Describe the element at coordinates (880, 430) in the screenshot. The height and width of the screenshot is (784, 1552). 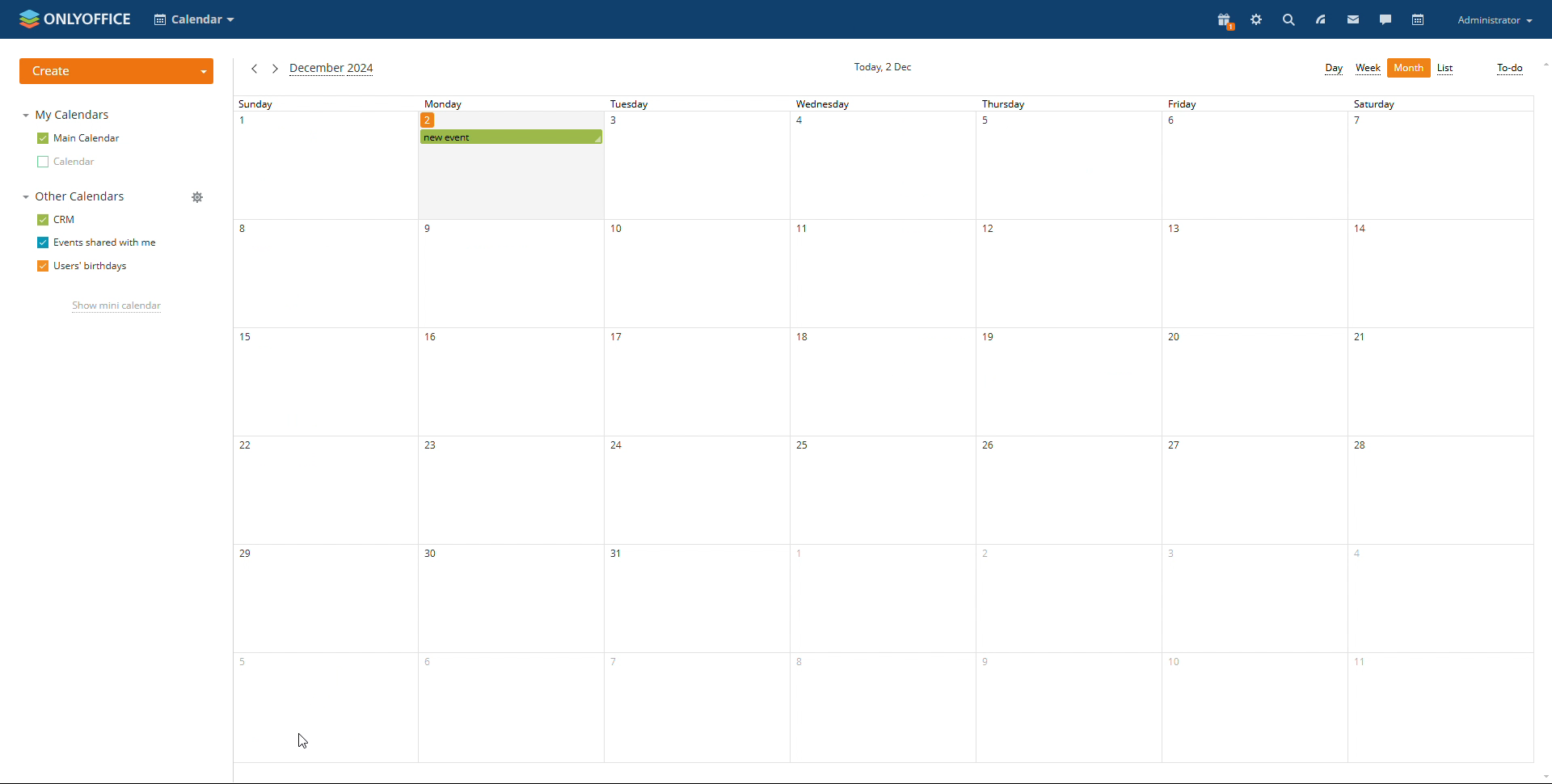
I see `wednesday` at that location.